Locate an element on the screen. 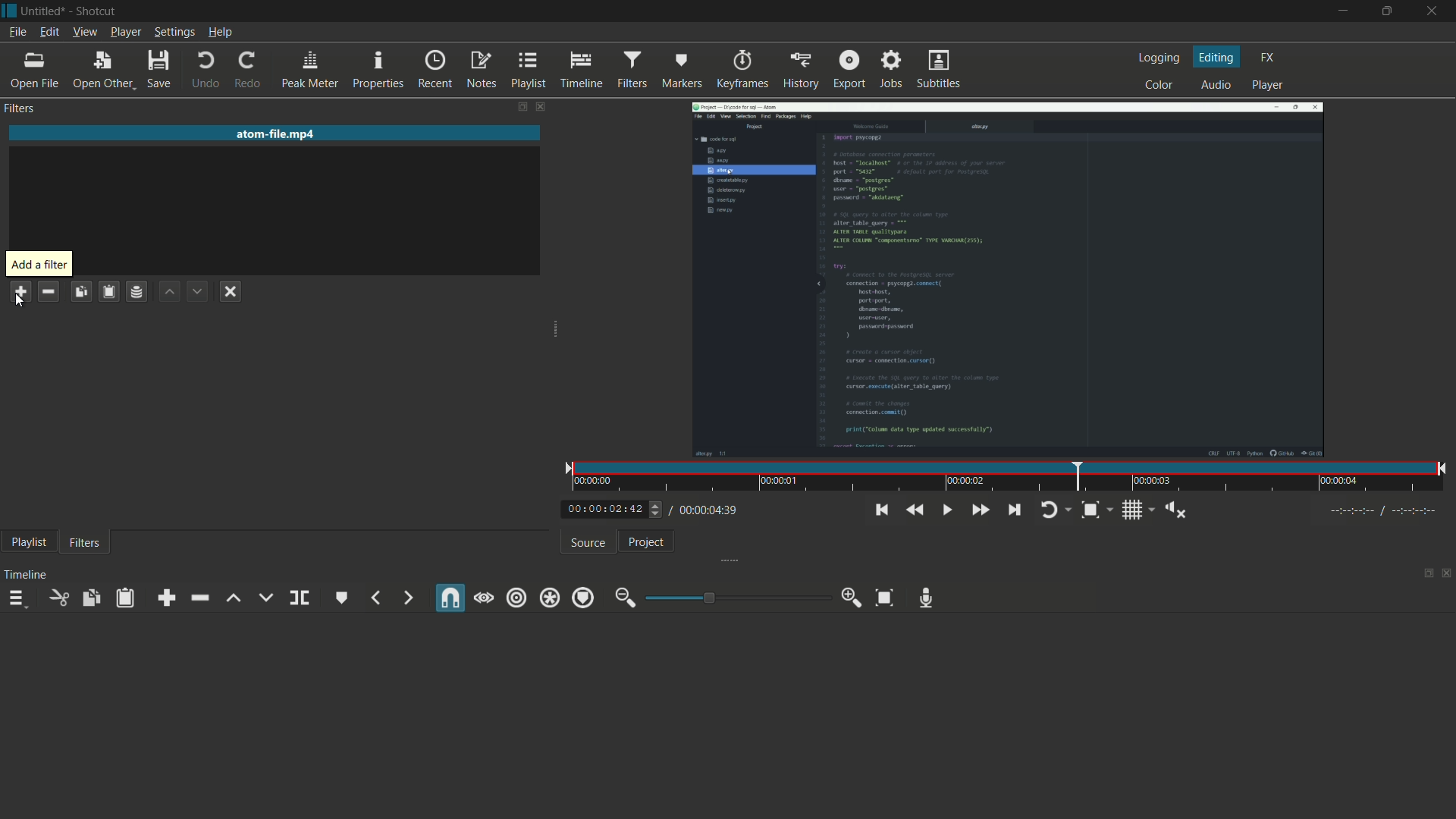  redo is located at coordinates (249, 71).